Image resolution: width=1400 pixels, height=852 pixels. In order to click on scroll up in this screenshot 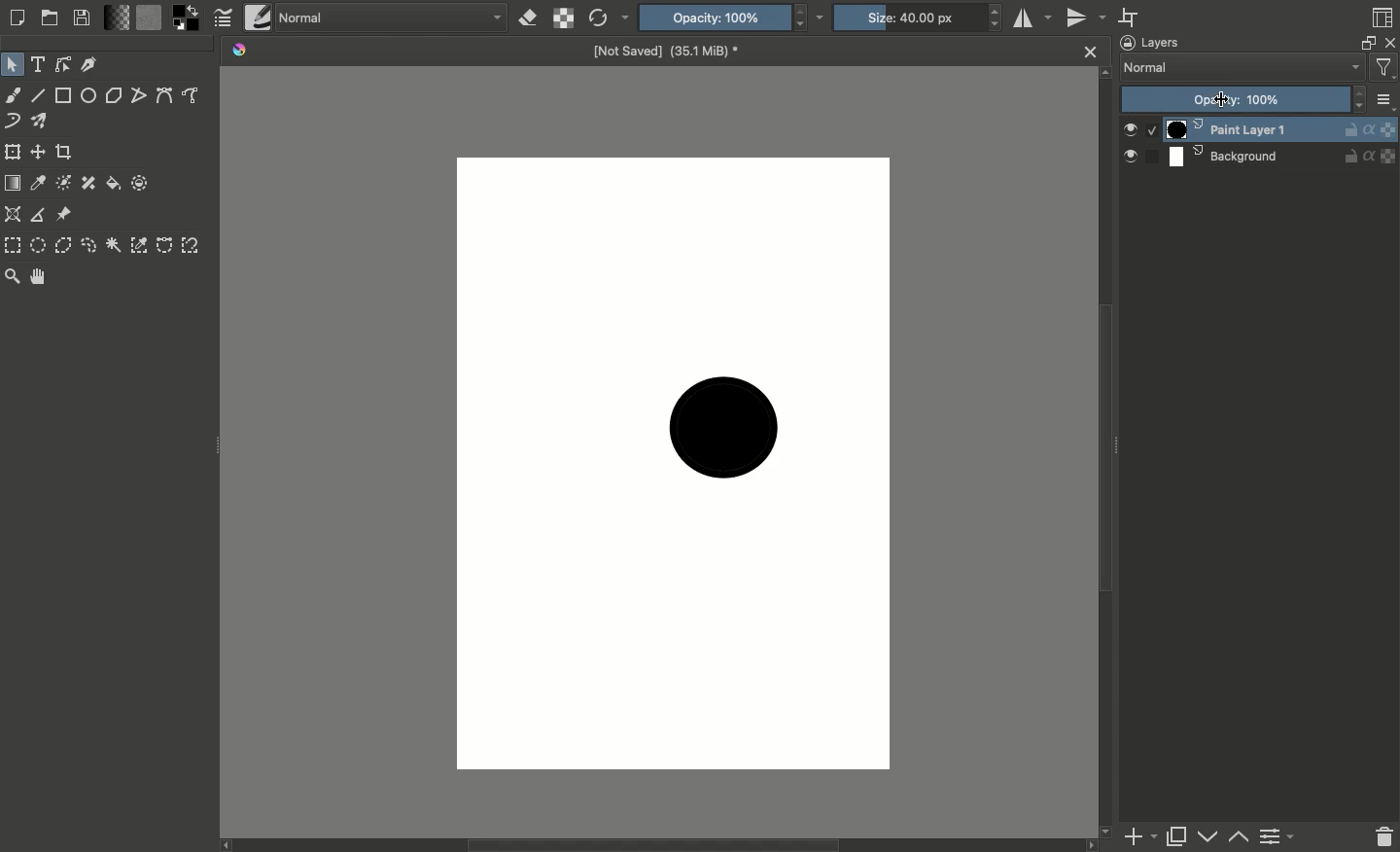, I will do `click(1103, 72)`.